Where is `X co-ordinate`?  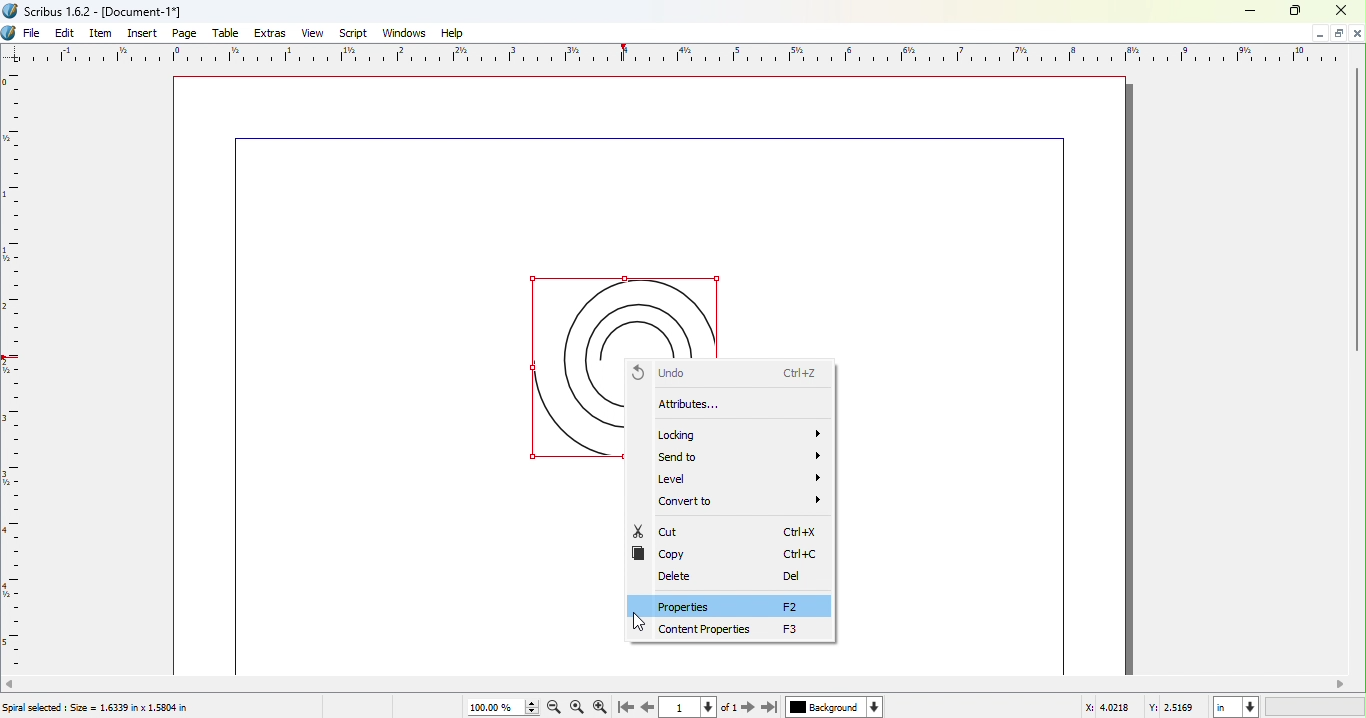
X co-ordinate is located at coordinates (1112, 708).